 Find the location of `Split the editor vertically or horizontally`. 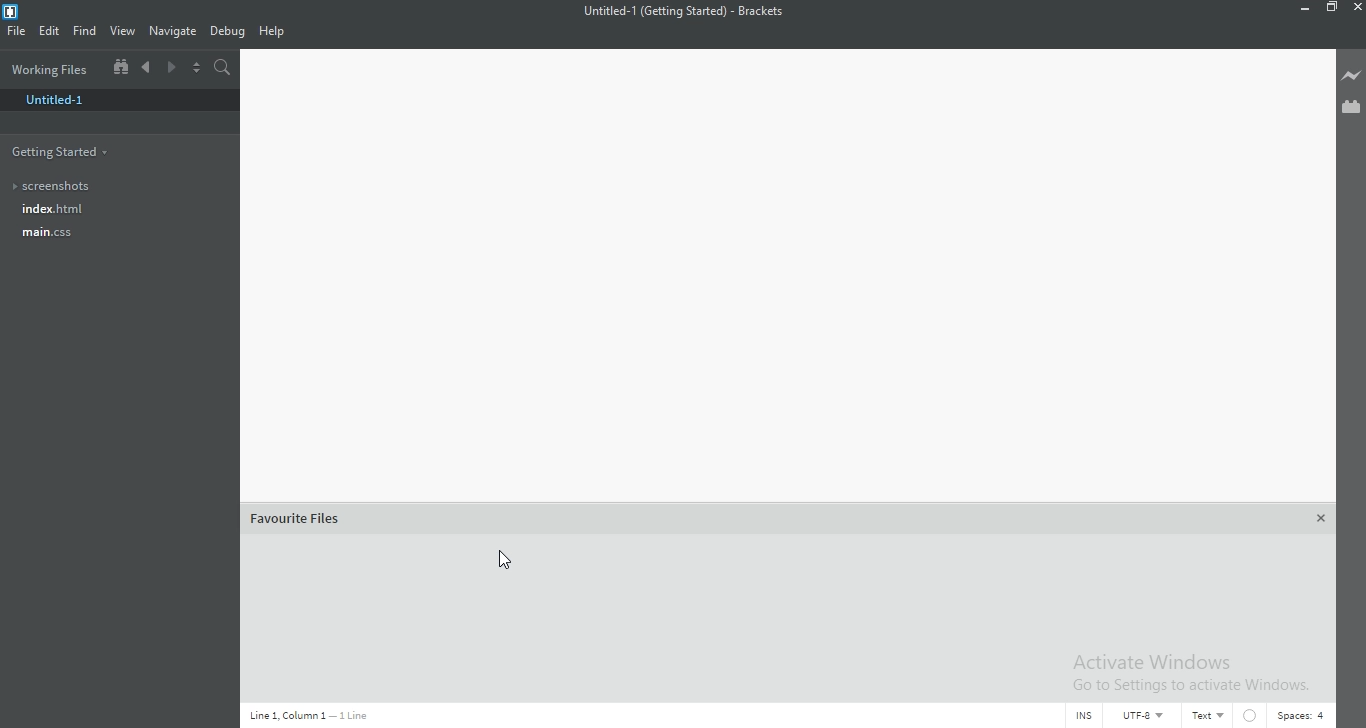

Split the editor vertically or horizontally is located at coordinates (198, 73).